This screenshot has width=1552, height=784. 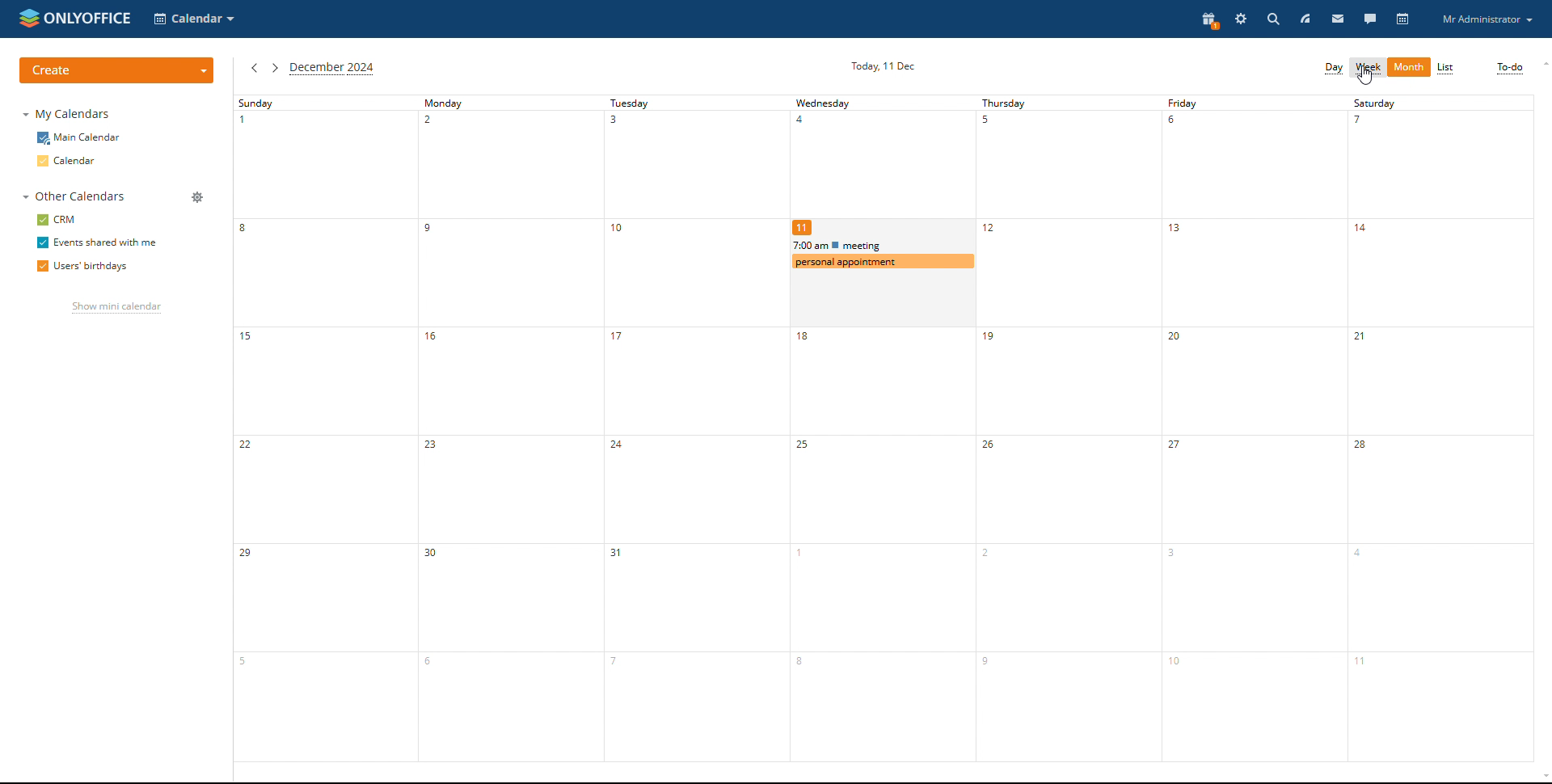 What do you see at coordinates (880, 156) in the screenshot?
I see `wednesday` at bounding box center [880, 156].